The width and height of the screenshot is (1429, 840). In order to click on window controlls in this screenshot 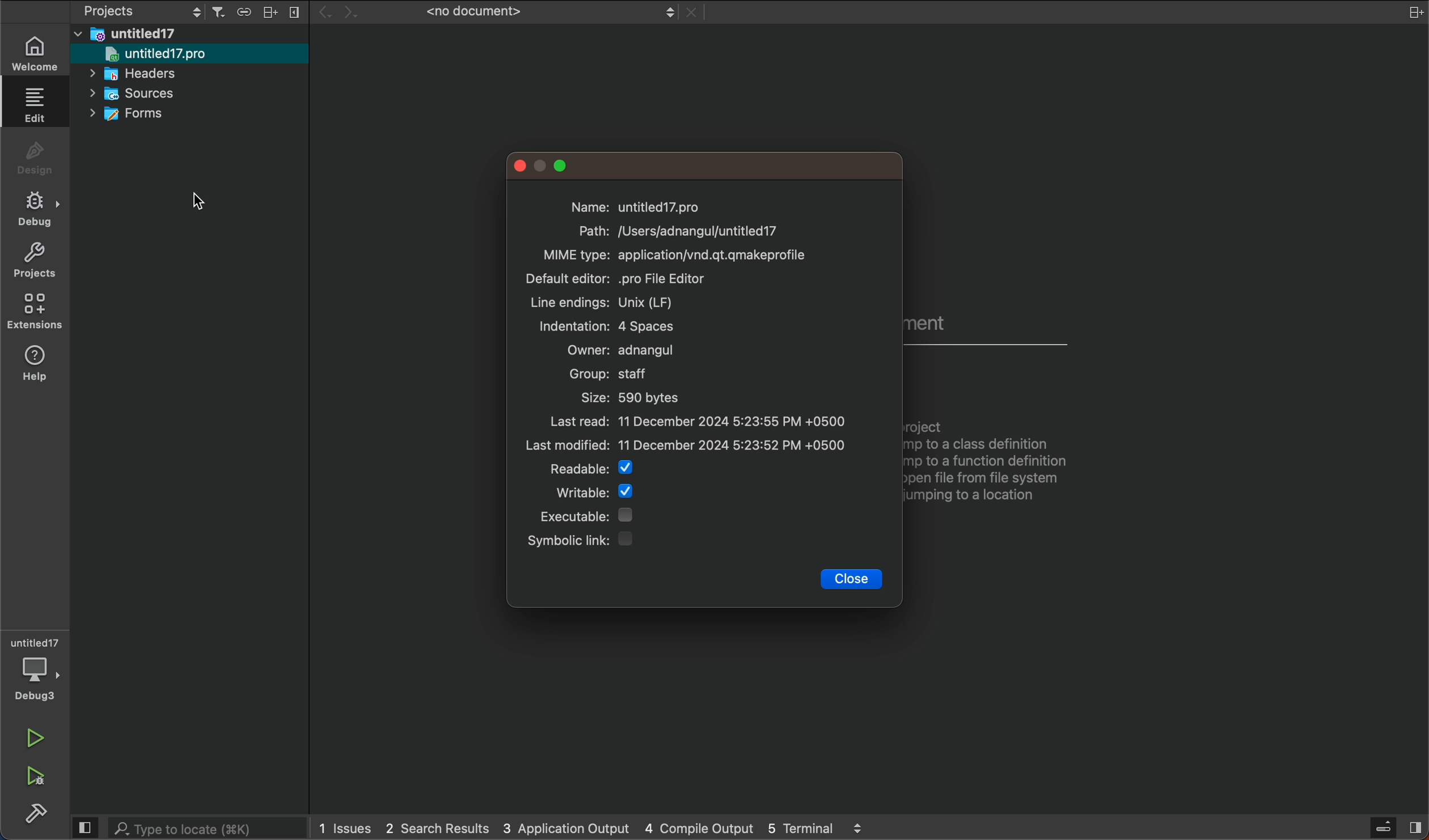, I will do `click(548, 166)`.